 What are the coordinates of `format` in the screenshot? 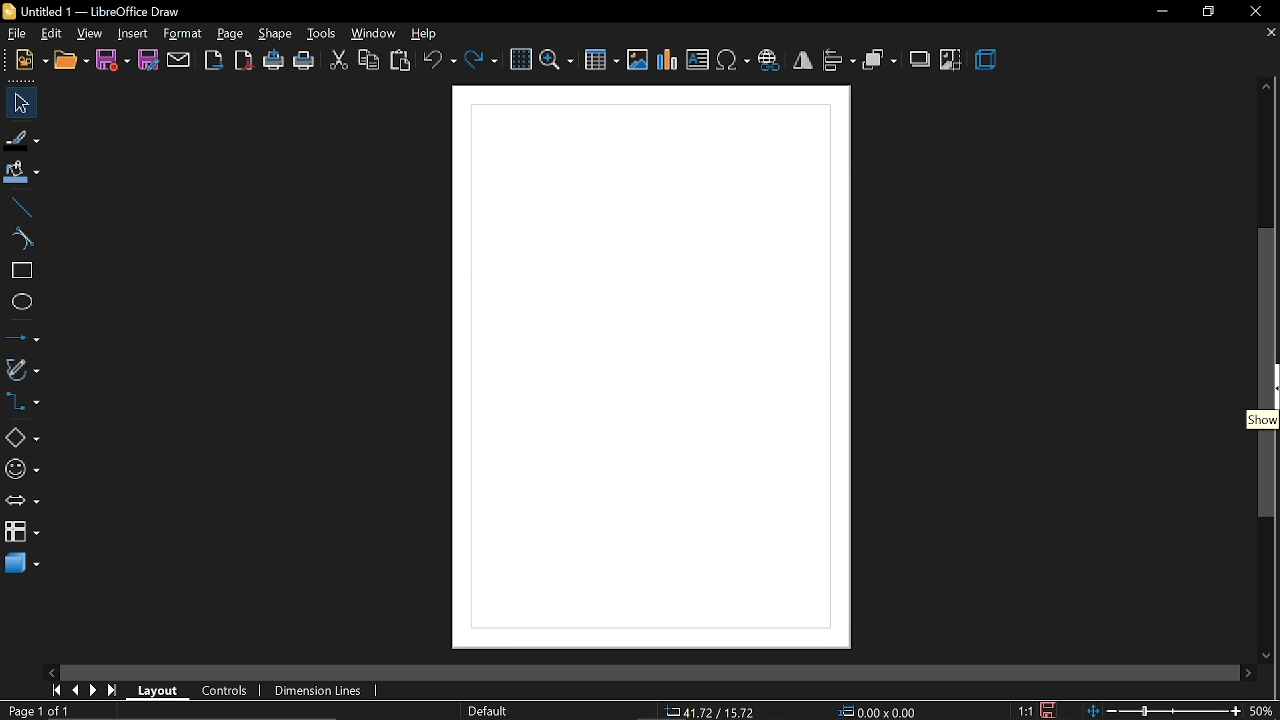 It's located at (183, 35).